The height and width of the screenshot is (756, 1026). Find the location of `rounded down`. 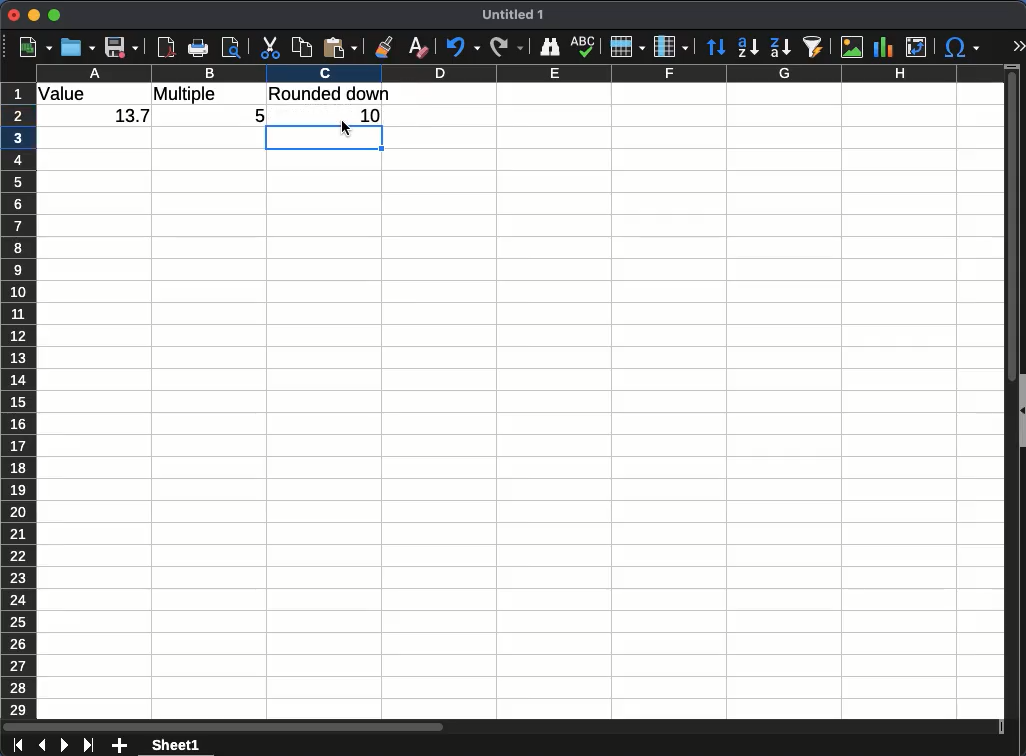

rounded down is located at coordinates (331, 93).